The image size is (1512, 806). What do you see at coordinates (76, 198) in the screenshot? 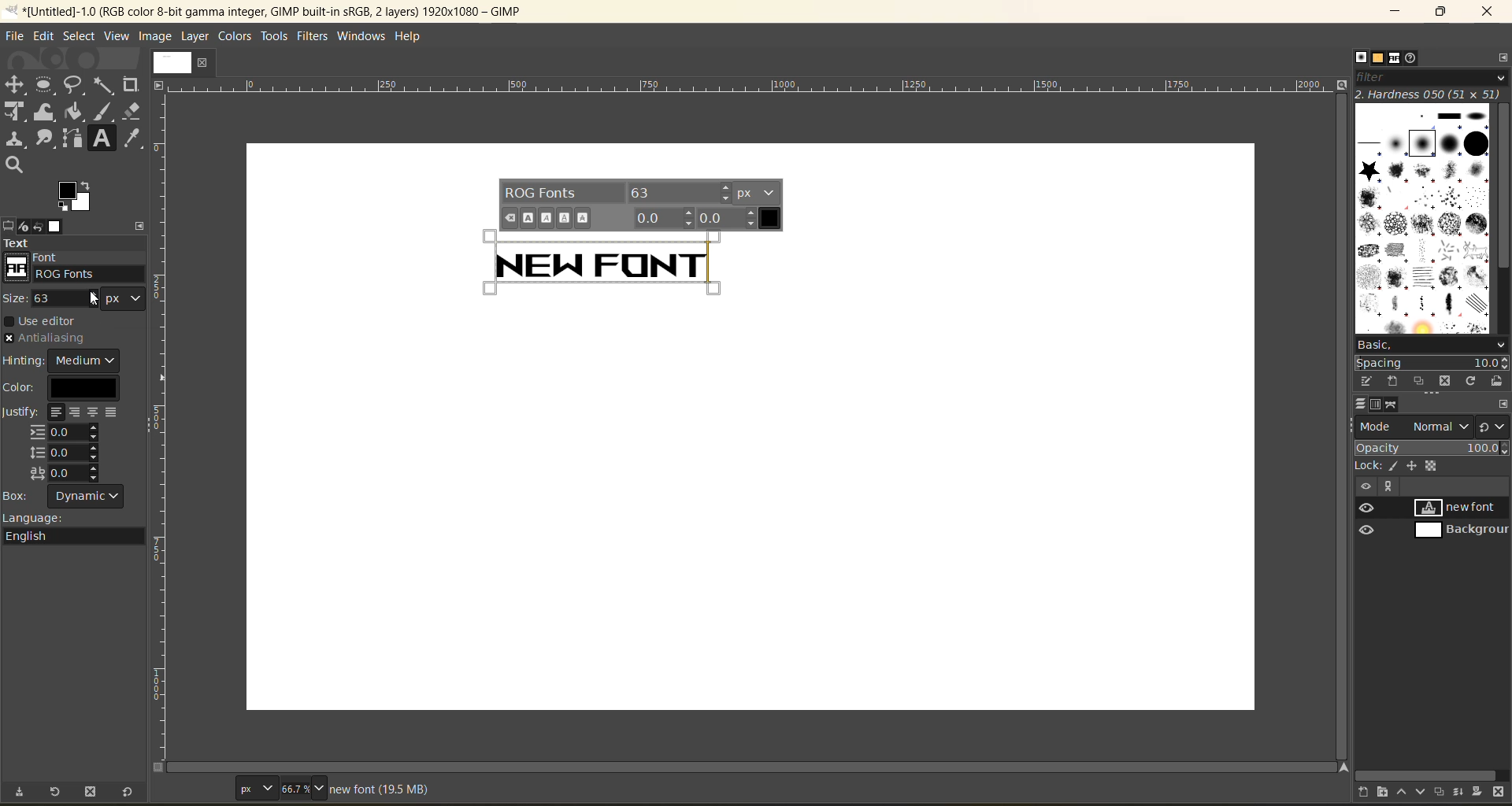
I see `change foreground/background color` at bounding box center [76, 198].